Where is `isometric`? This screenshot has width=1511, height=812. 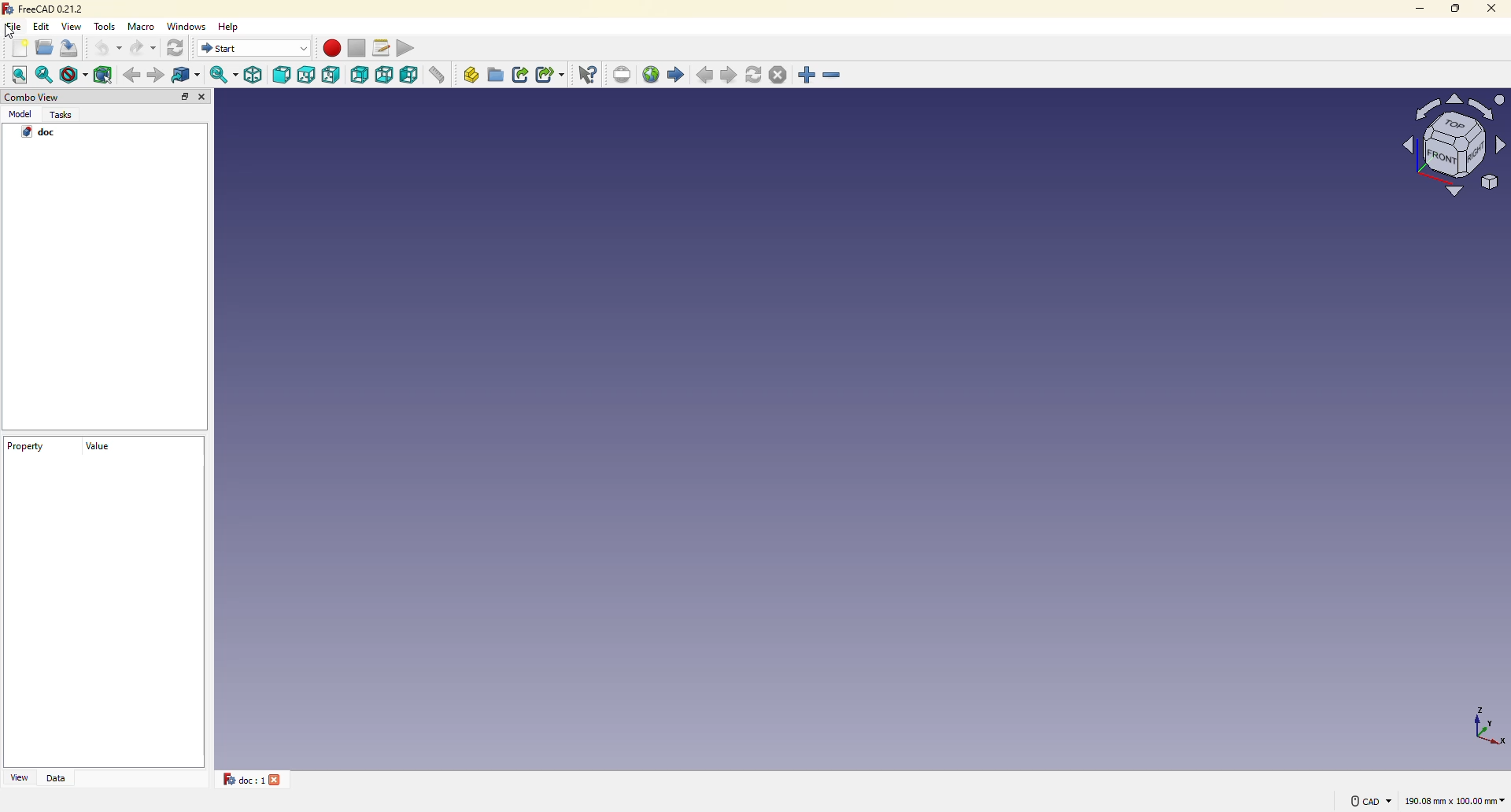
isometric is located at coordinates (254, 75).